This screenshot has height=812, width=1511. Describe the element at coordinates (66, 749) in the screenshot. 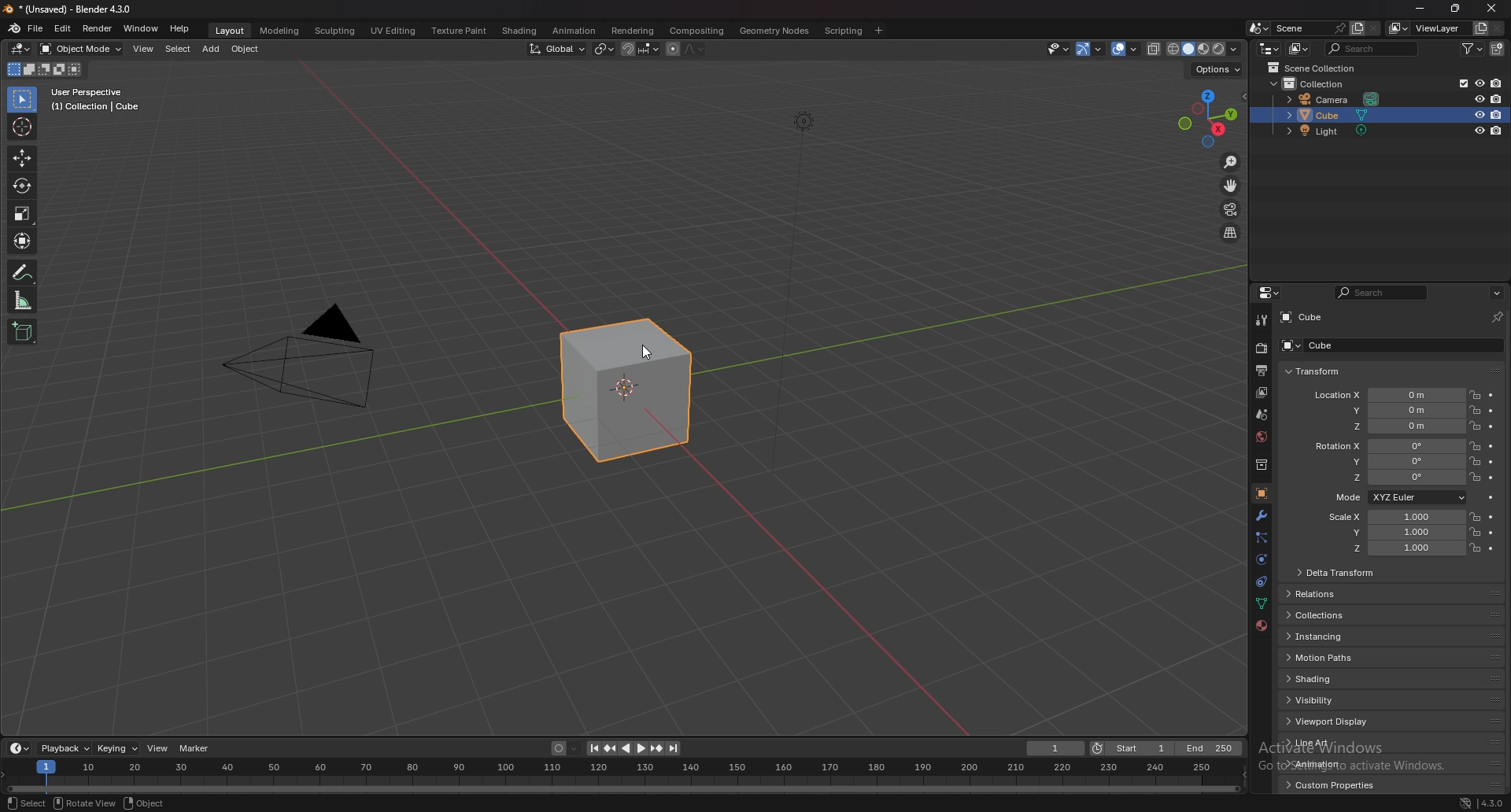

I see `playback` at that location.